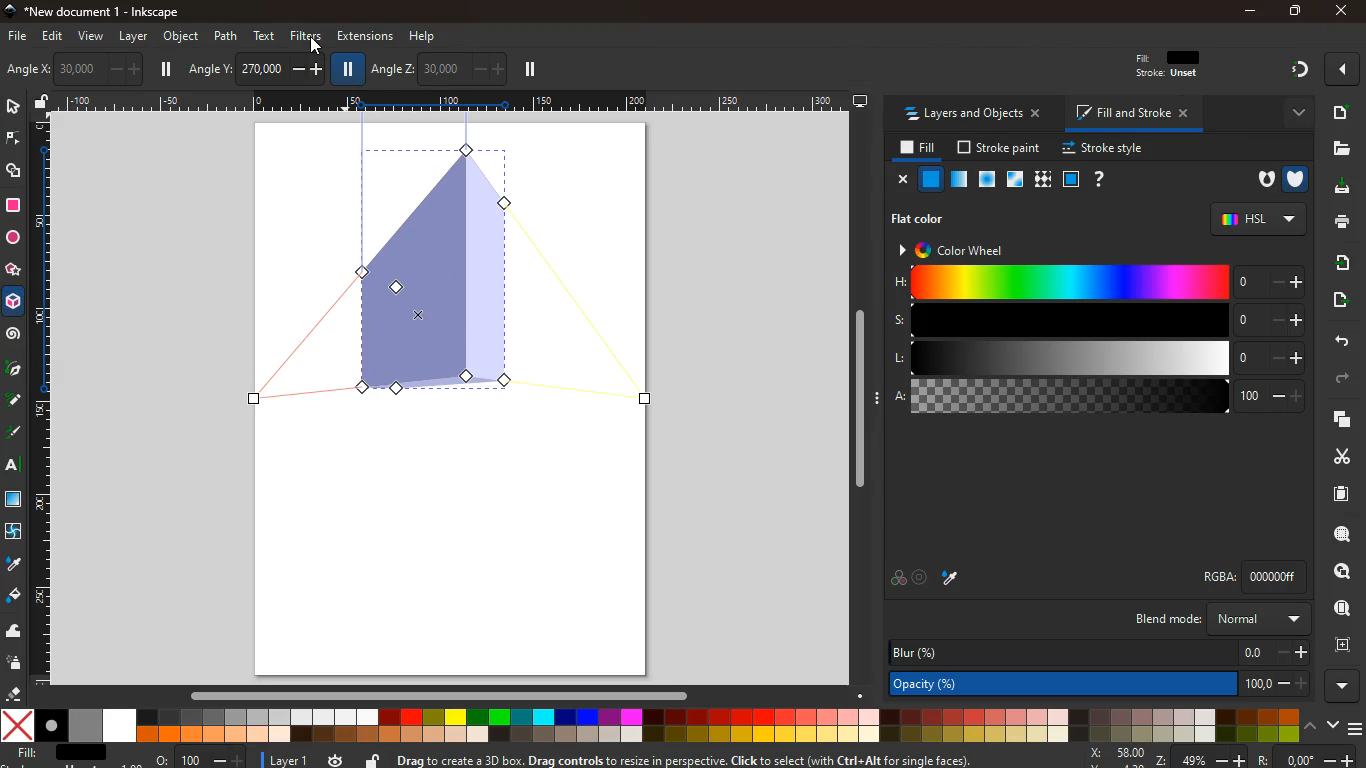  I want to click on armour, so click(1295, 178).